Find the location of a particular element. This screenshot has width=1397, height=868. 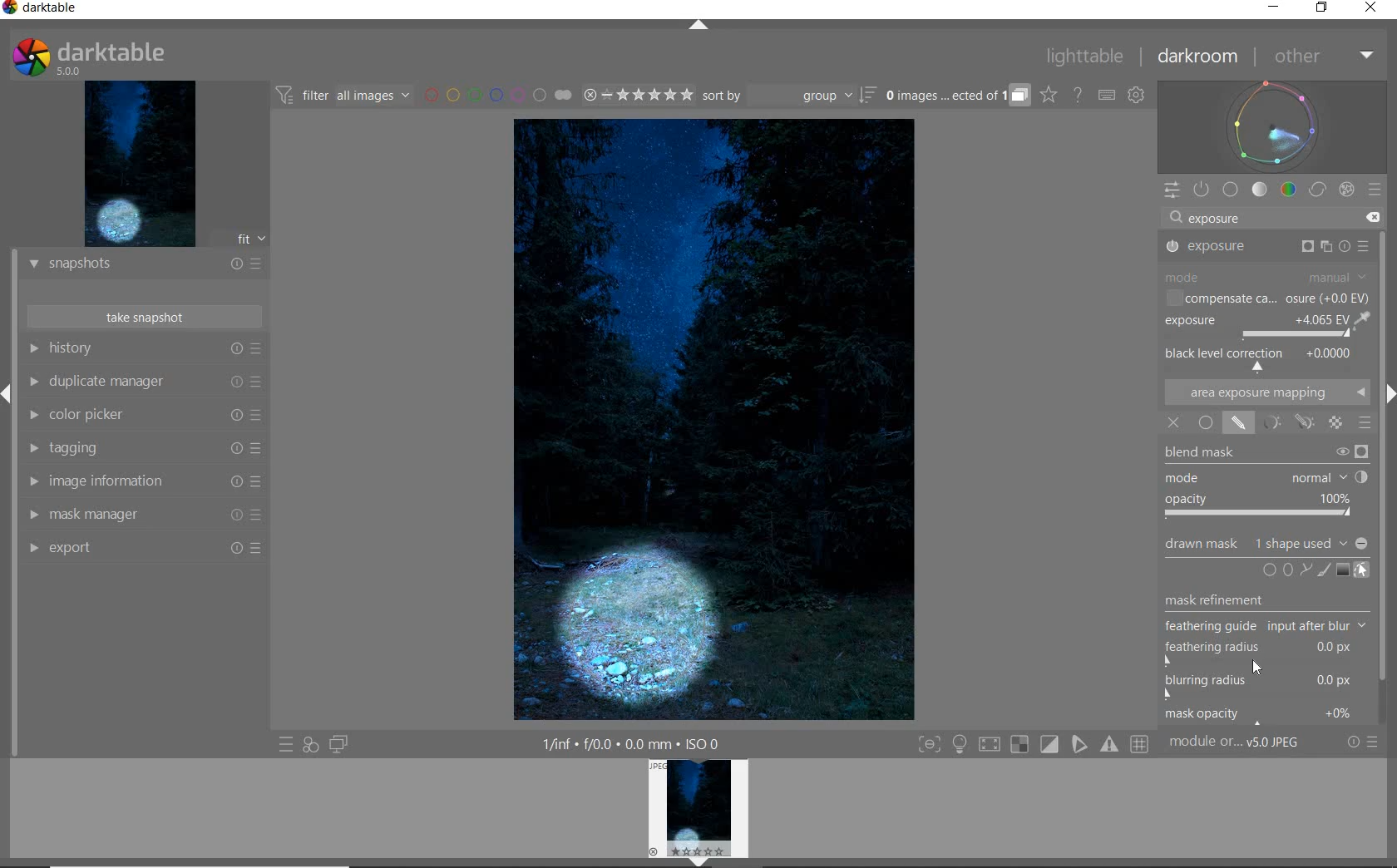

TONE is located at coordinates (1259, 190).